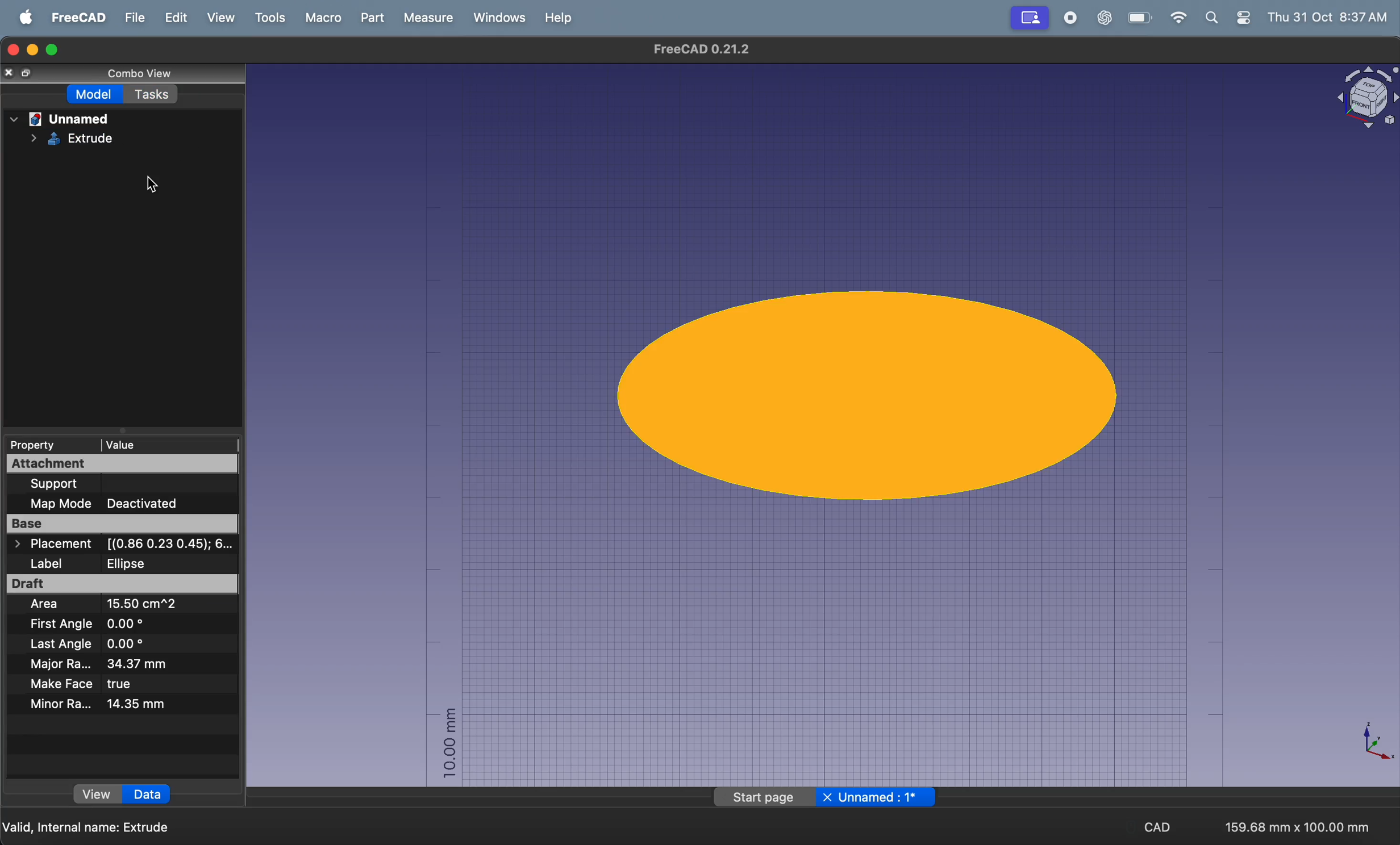 The width and height of the screenshot is (1400, 845). Describe the element at coordinates (322, 18) in the screenshot. I see `marco` at that location.